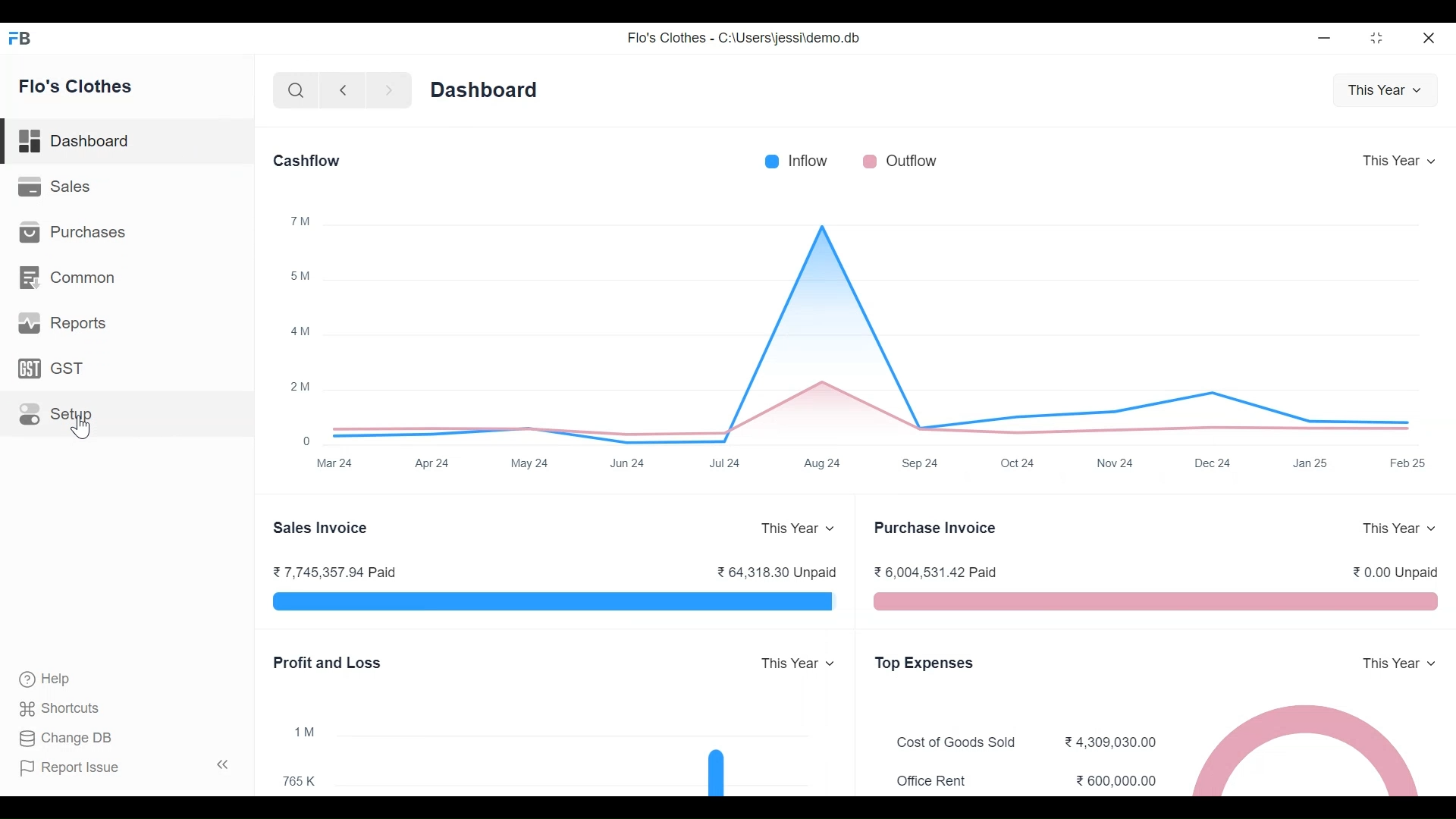  What do you see at coordinates (726, 464) in the screenshot?
I see `jul 24` at bounding box center [726, 464].